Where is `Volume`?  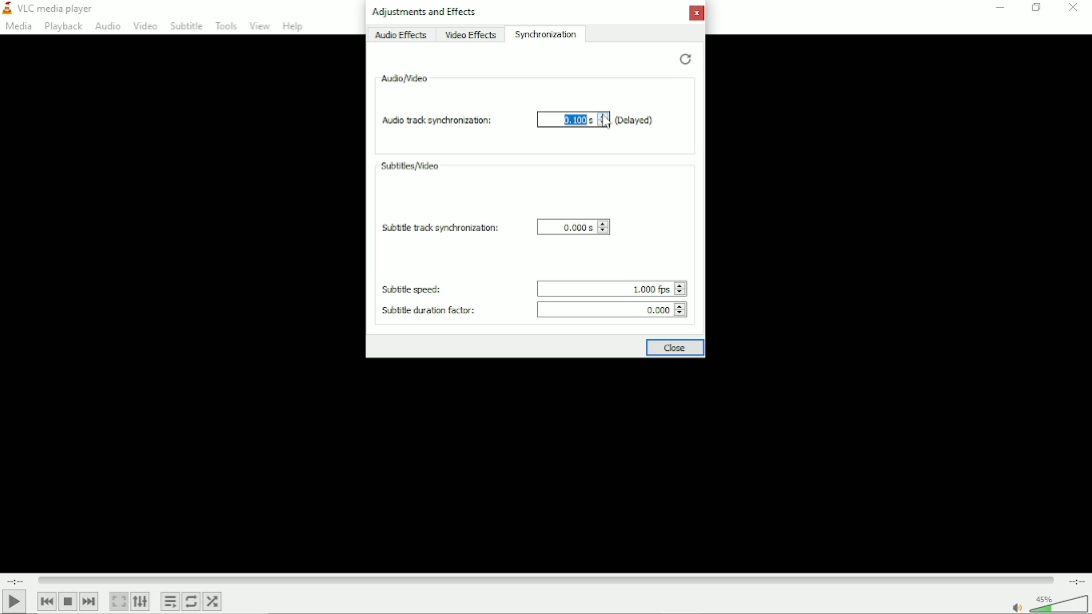 Volume is located at coordinates (1047, 603).